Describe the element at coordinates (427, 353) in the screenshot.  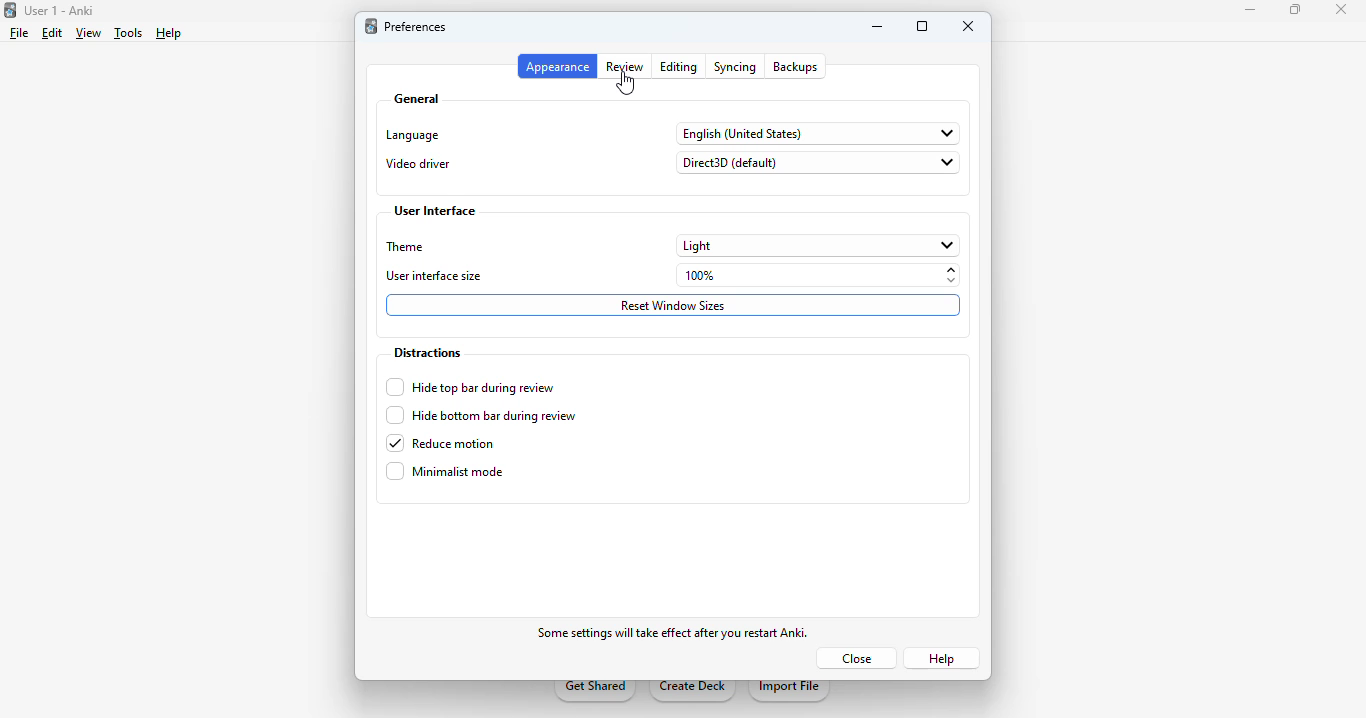
I see `distractions` at that location.